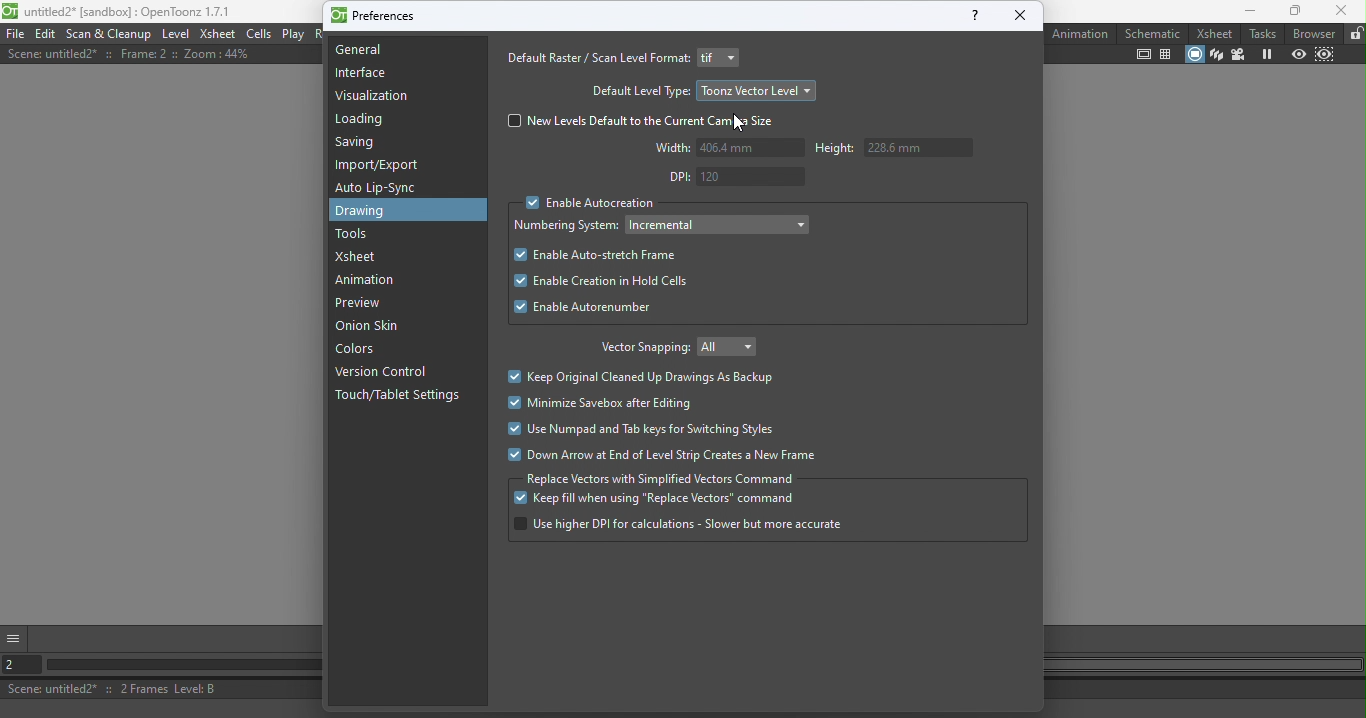 The image size is (1366, 718). What do you see at coordinates (1292, 12) in the screenshot?
I see `Maximize` at bounding box center [1292, 12].